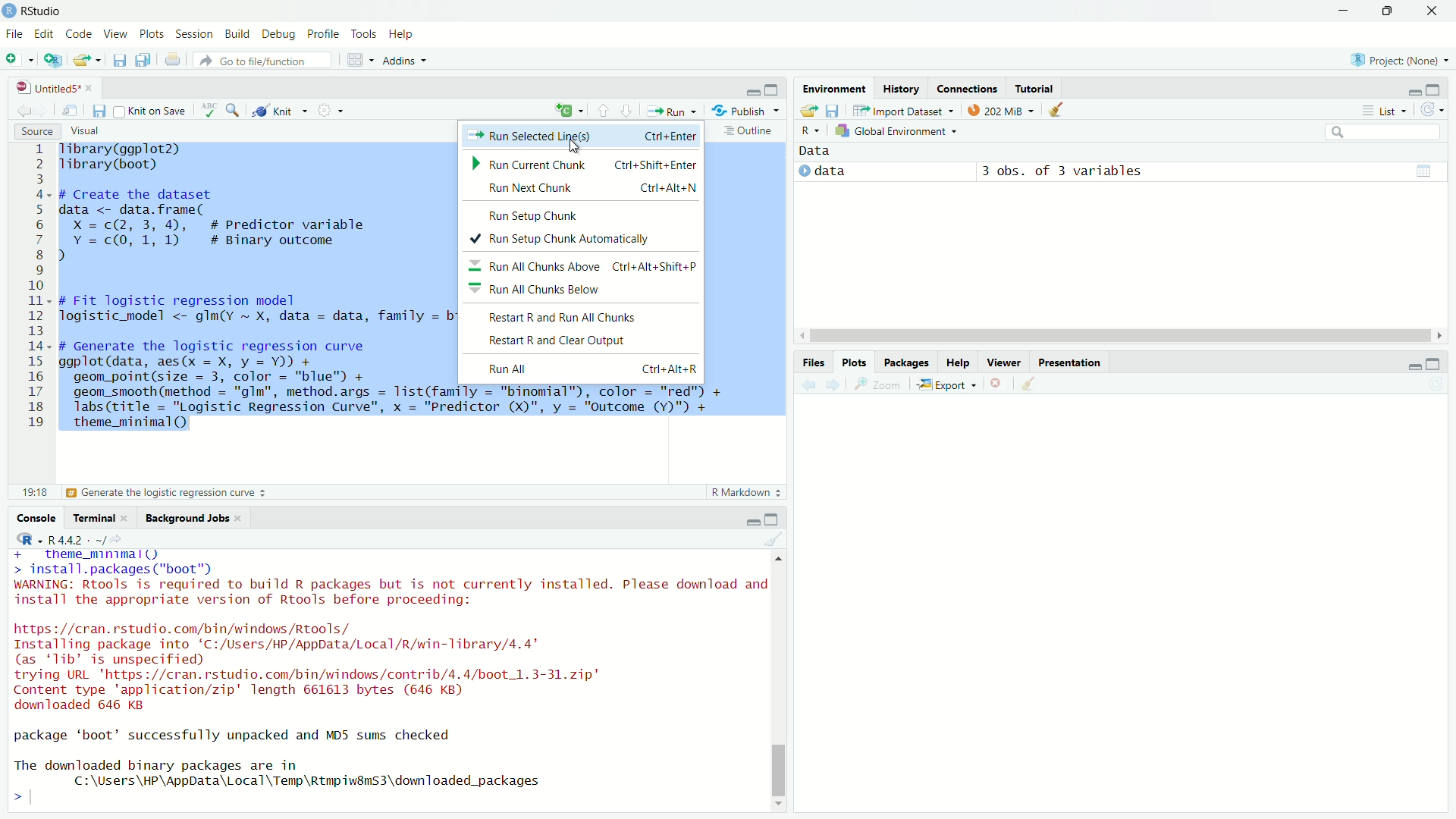  I want to click on Addins, so click(406, 60).